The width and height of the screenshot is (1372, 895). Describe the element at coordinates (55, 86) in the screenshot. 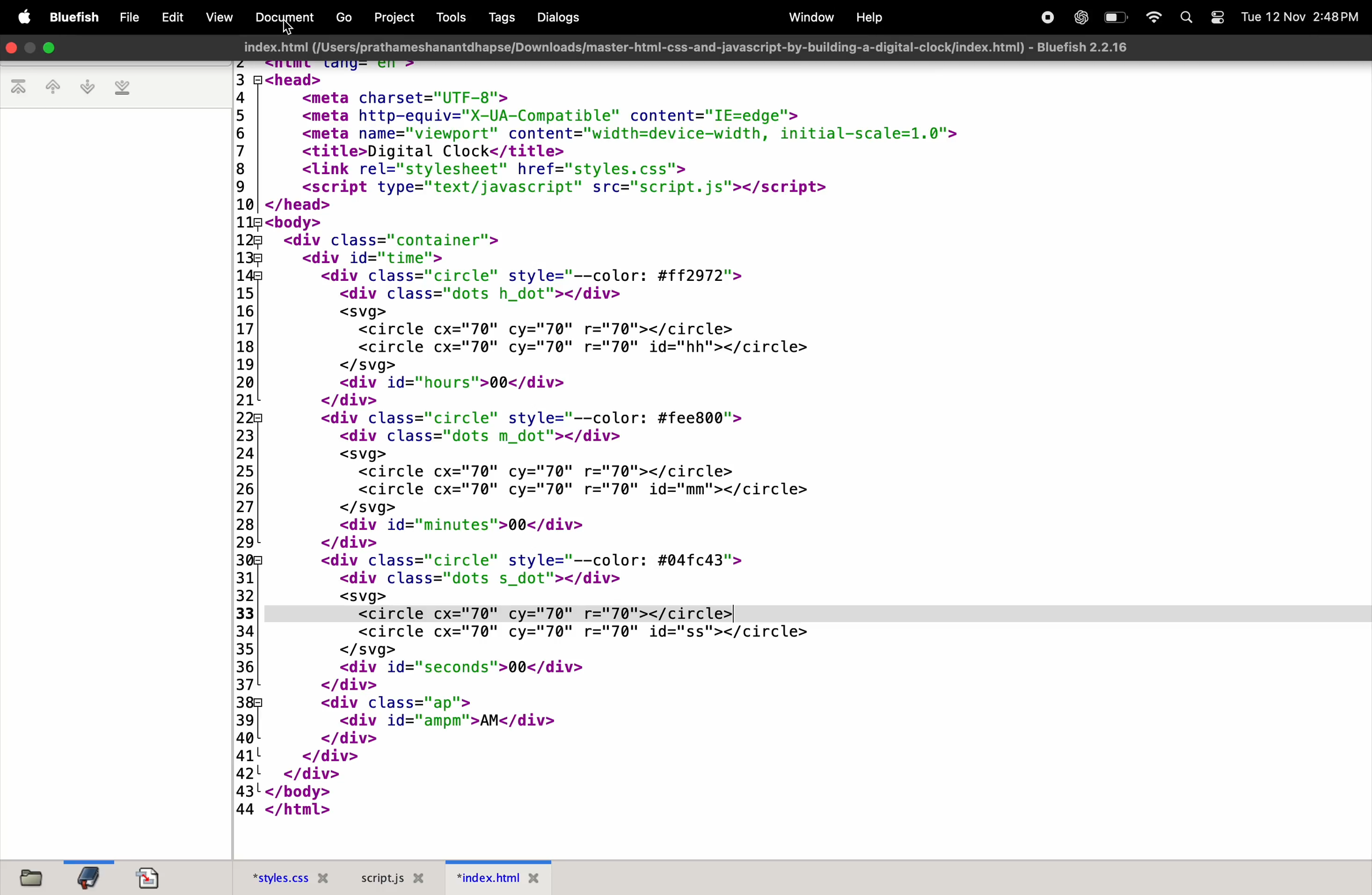

I see `previous bookmark` at that location.